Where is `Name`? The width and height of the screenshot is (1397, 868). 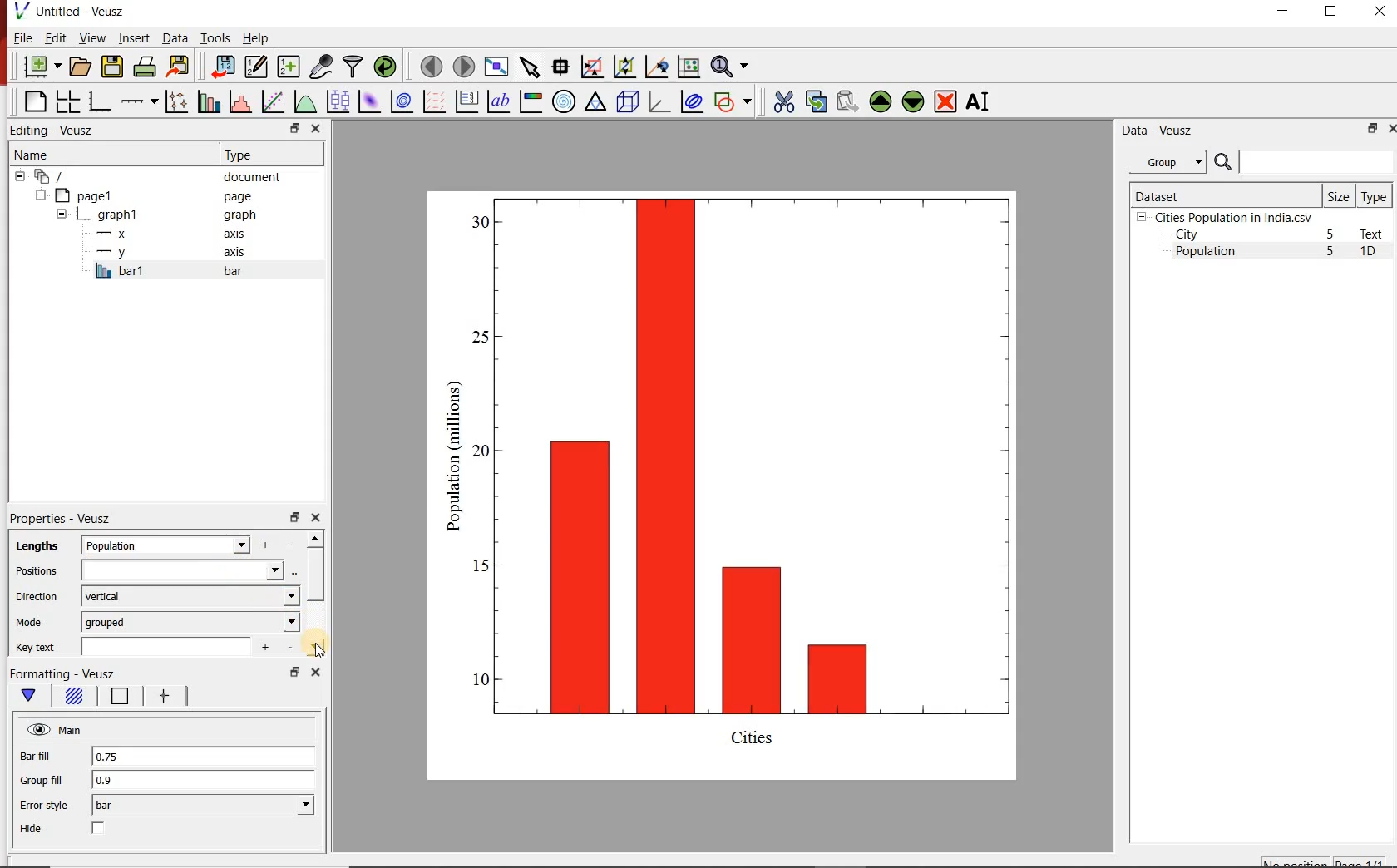 Name is located at coordinates (94, 154).